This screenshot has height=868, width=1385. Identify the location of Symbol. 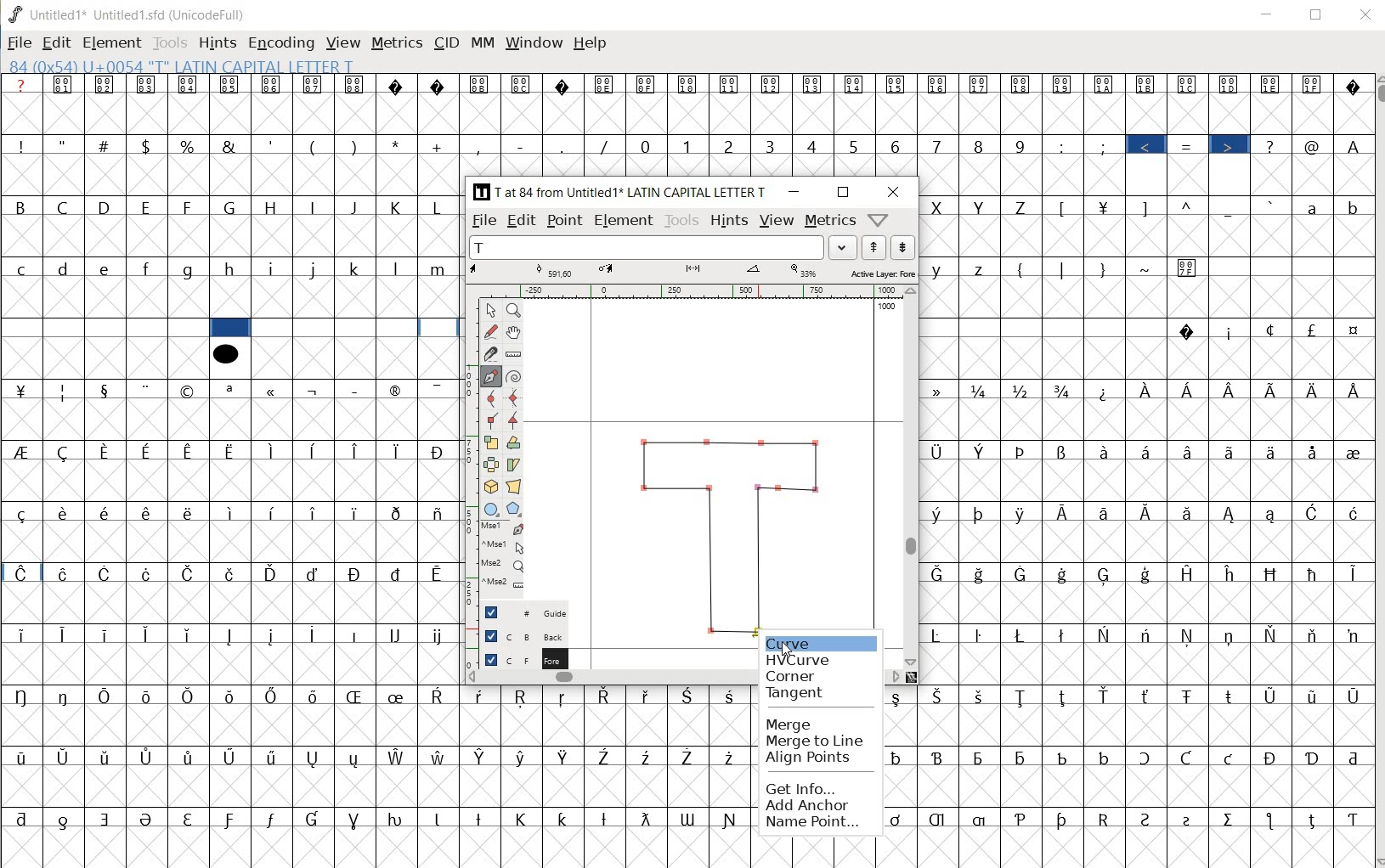
(149, 511).